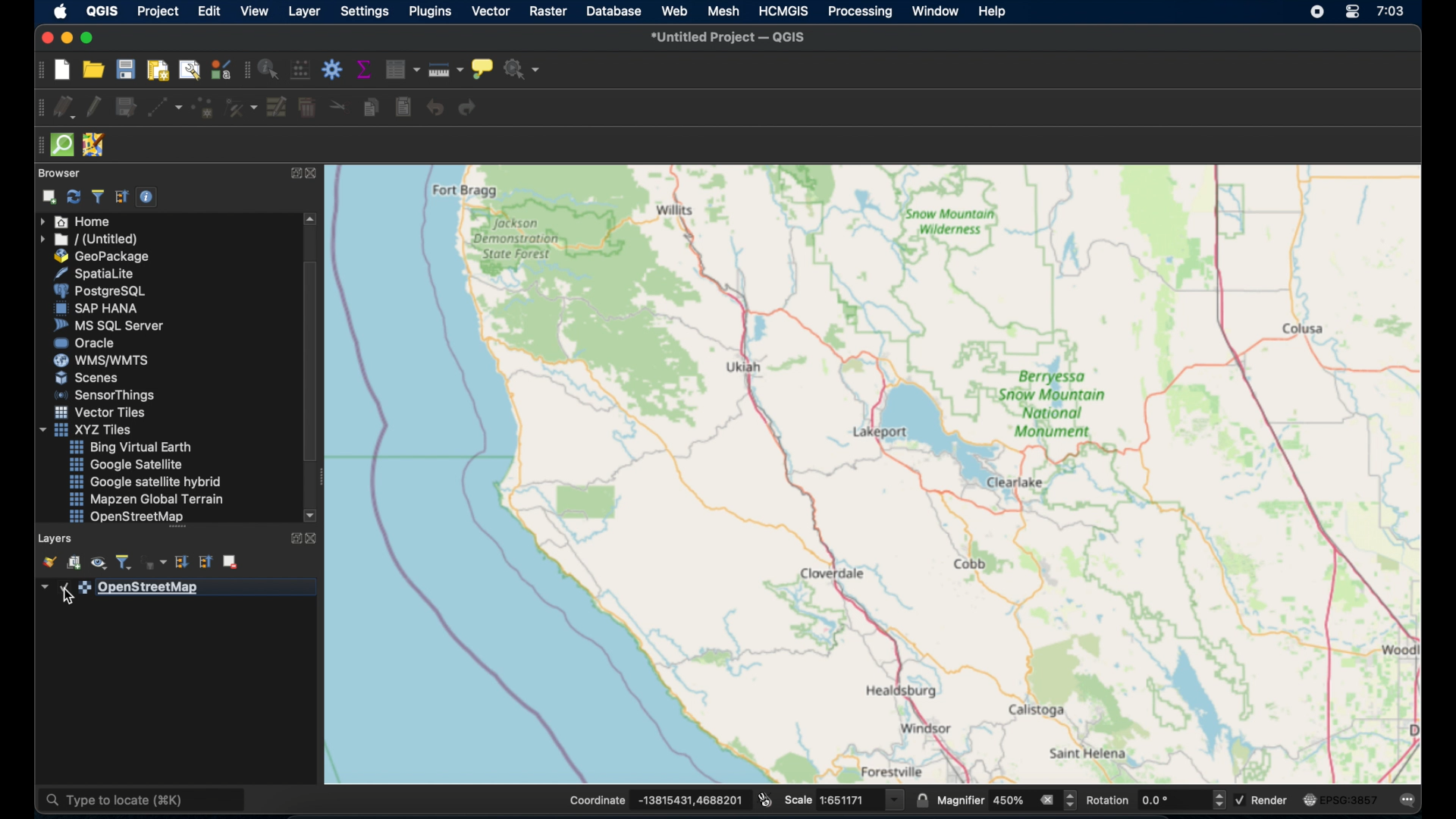  What do you see at coordinates (309, 110) in the screenshot?
I see `delete. selected` at bounding box center [309, 110].